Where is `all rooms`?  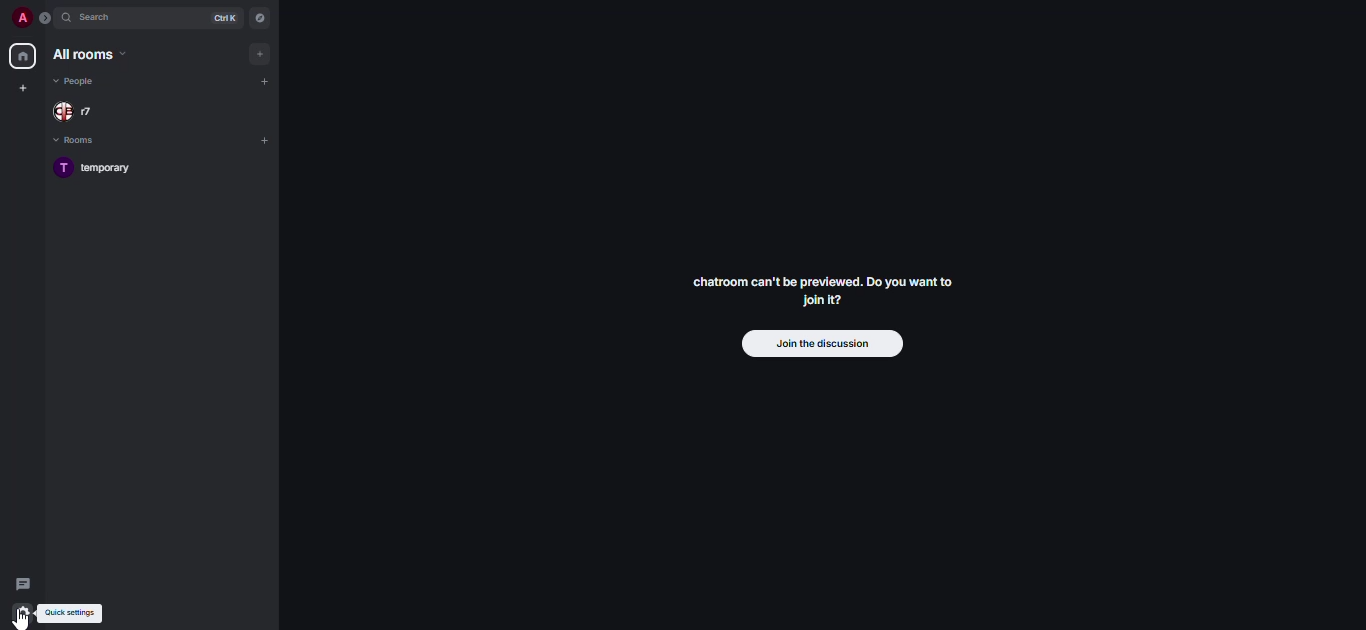
all rooms is located at coordinates (88, 55).